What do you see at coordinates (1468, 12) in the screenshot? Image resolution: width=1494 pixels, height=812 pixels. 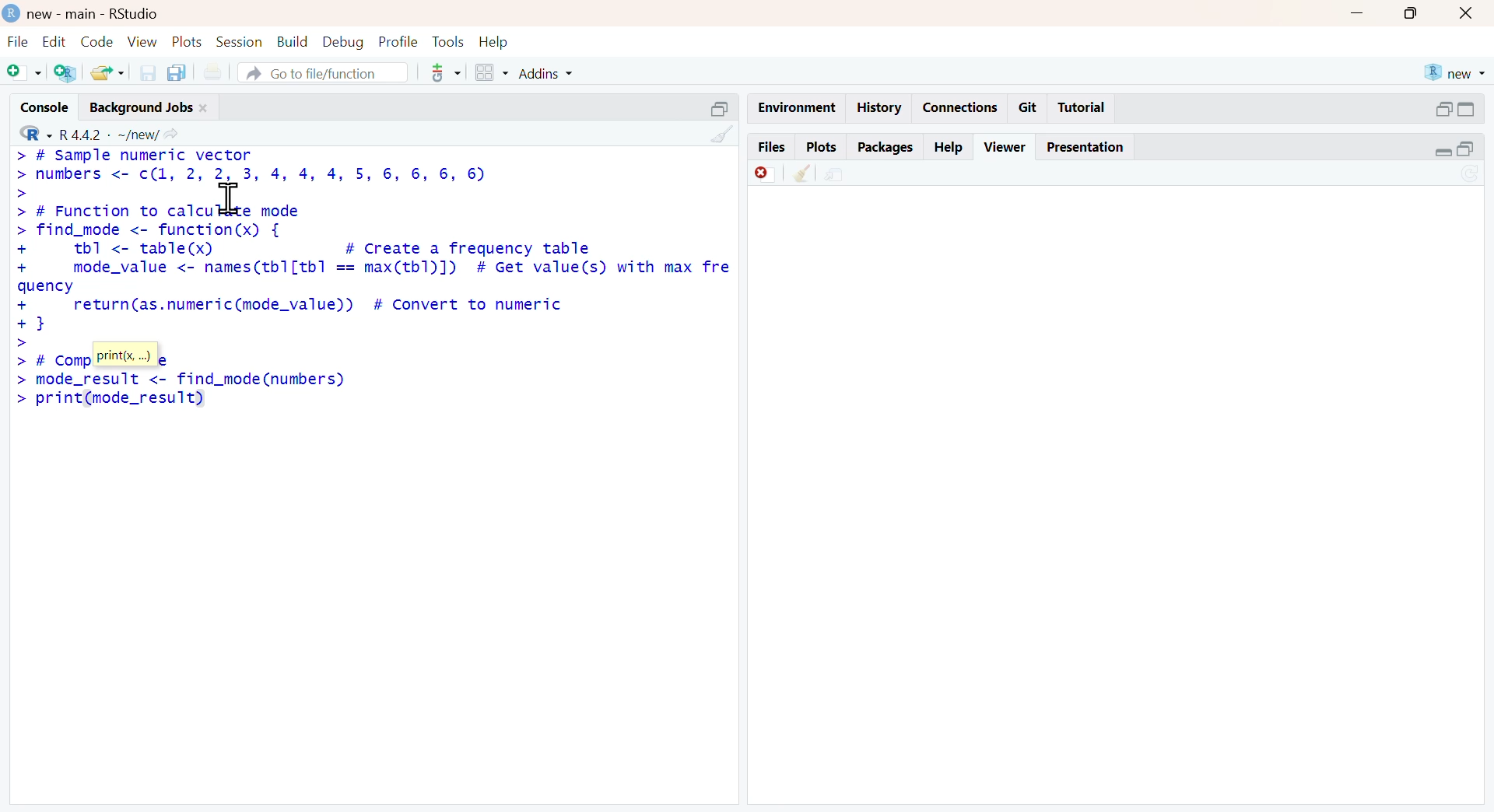 I see `close` at bounding box center [1468, 12].